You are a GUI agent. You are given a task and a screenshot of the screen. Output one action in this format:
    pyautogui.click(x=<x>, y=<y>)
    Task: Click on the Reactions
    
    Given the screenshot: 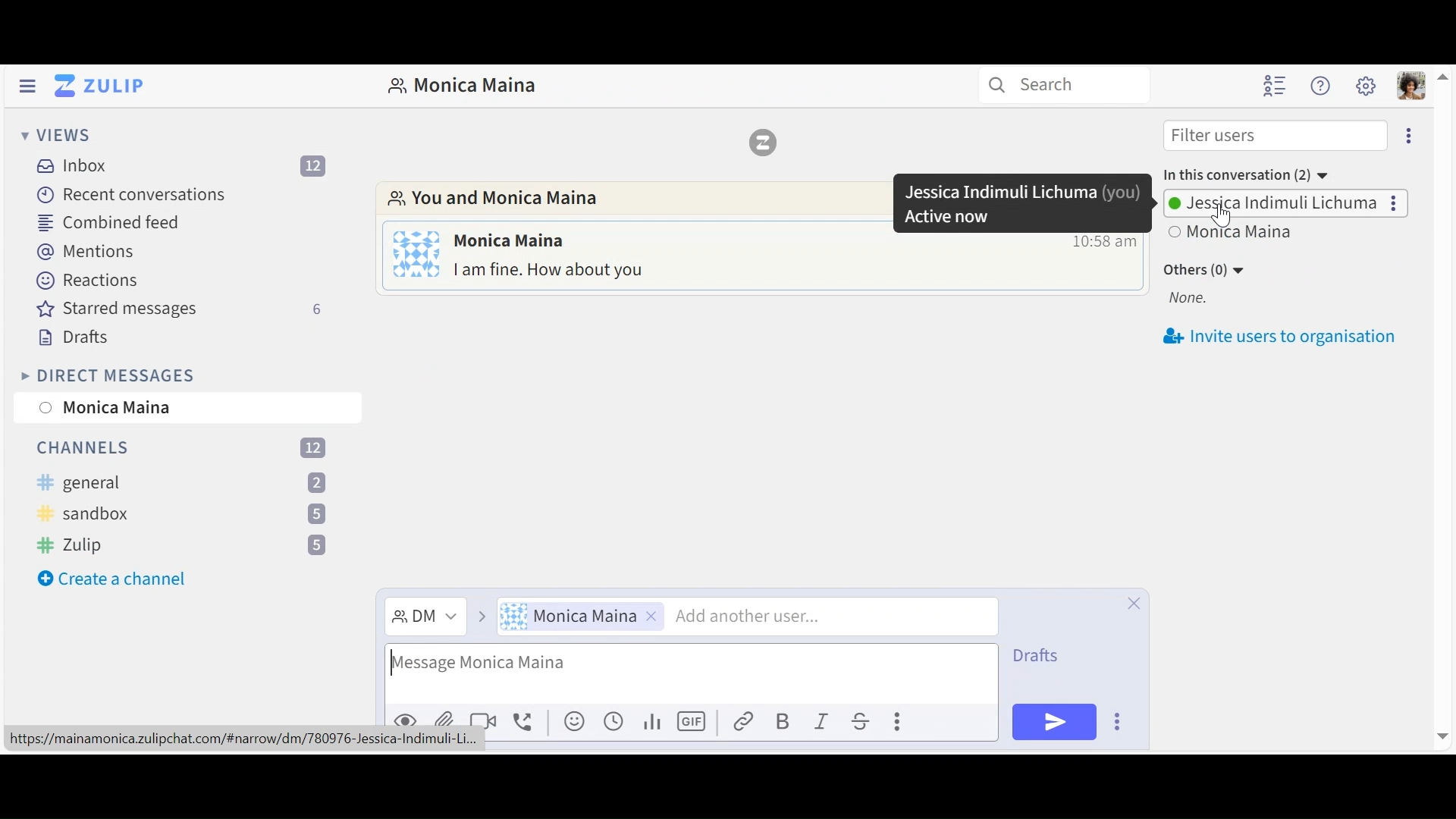 What is the action you would take?
    pyautogui.click(x=90, y=280)
    